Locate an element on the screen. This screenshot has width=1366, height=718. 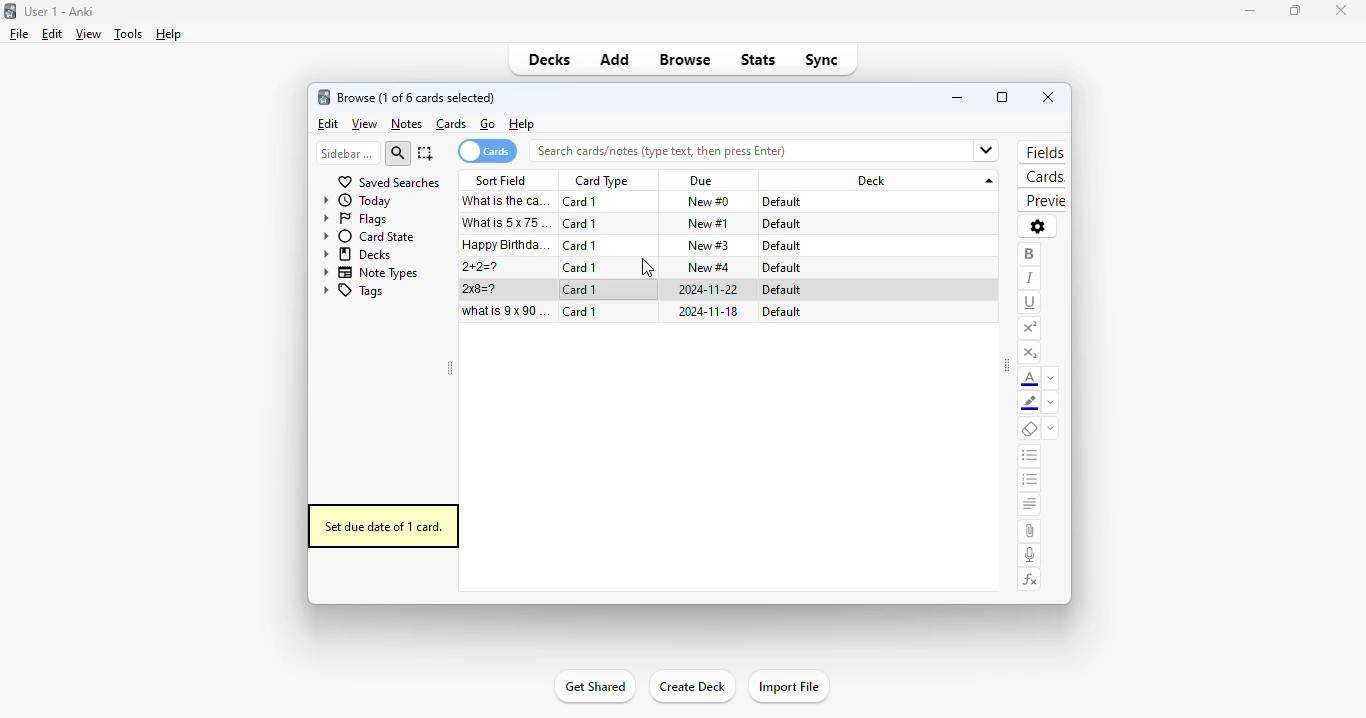
ordered list is located at coordinates (1030, 482).